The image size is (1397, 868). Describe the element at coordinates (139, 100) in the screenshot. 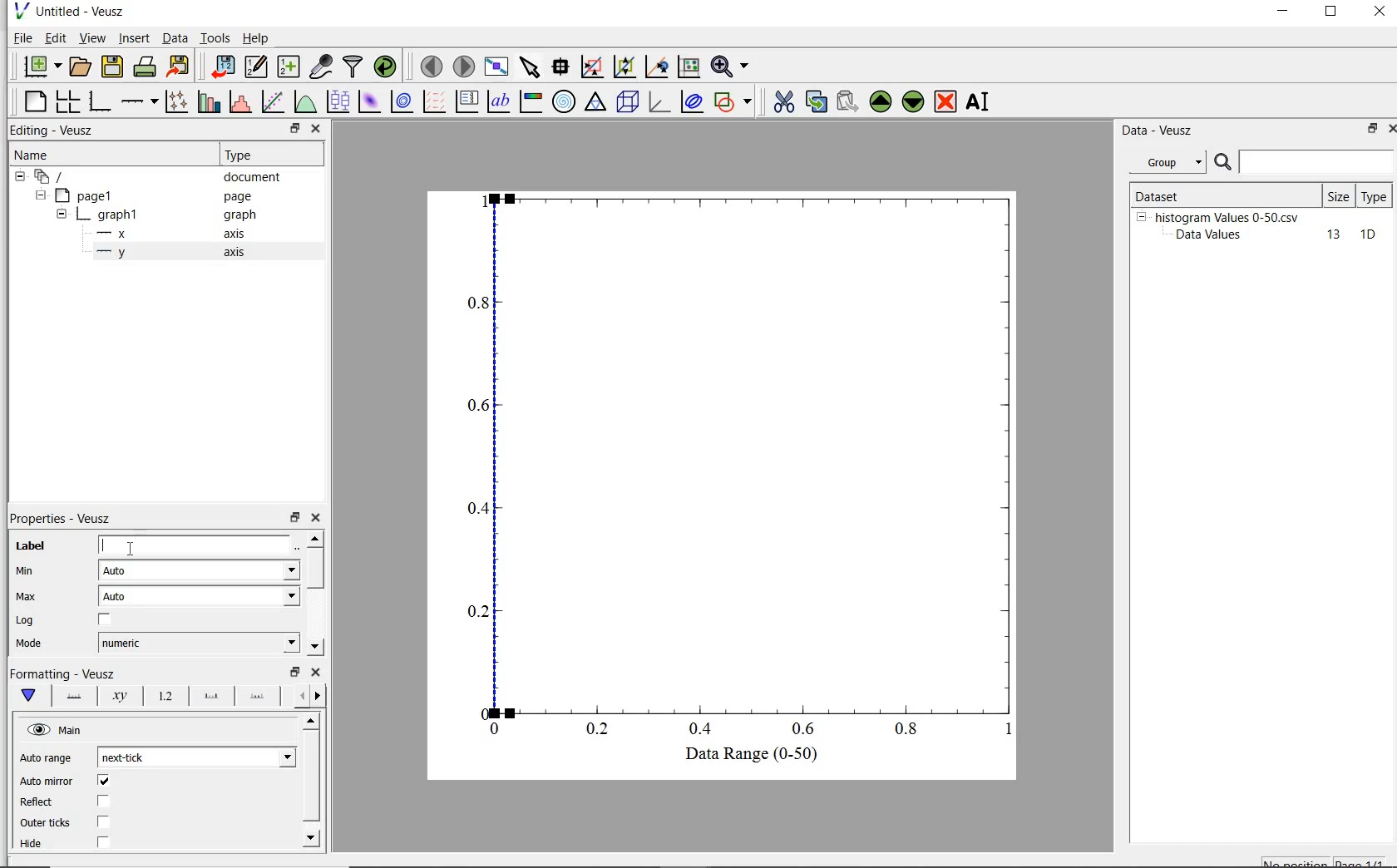

I see `add axis on the plot` at that location.